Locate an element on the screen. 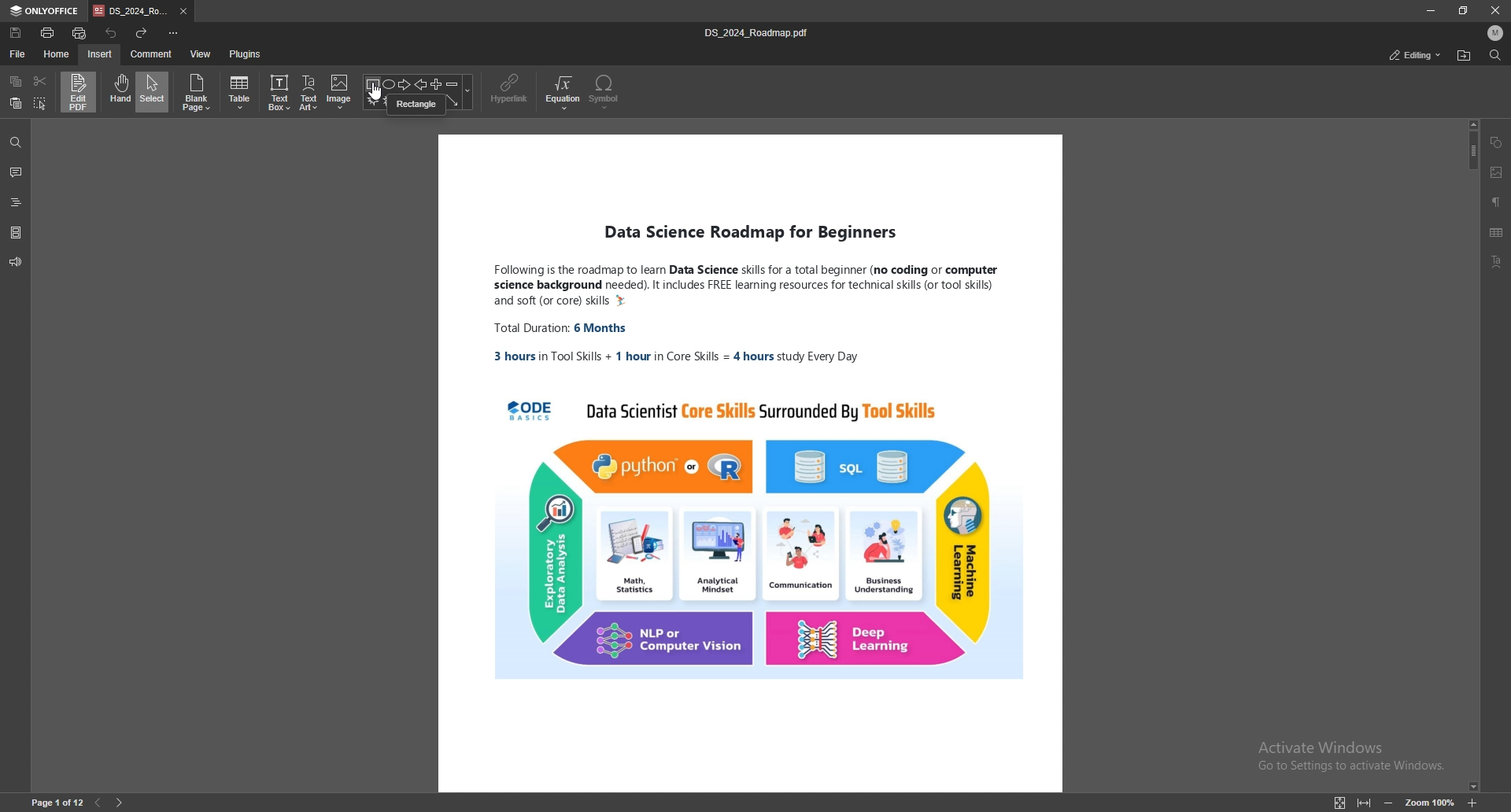 This screenshot has height=812, width=1511. pages is located at coordinates (16, 231).